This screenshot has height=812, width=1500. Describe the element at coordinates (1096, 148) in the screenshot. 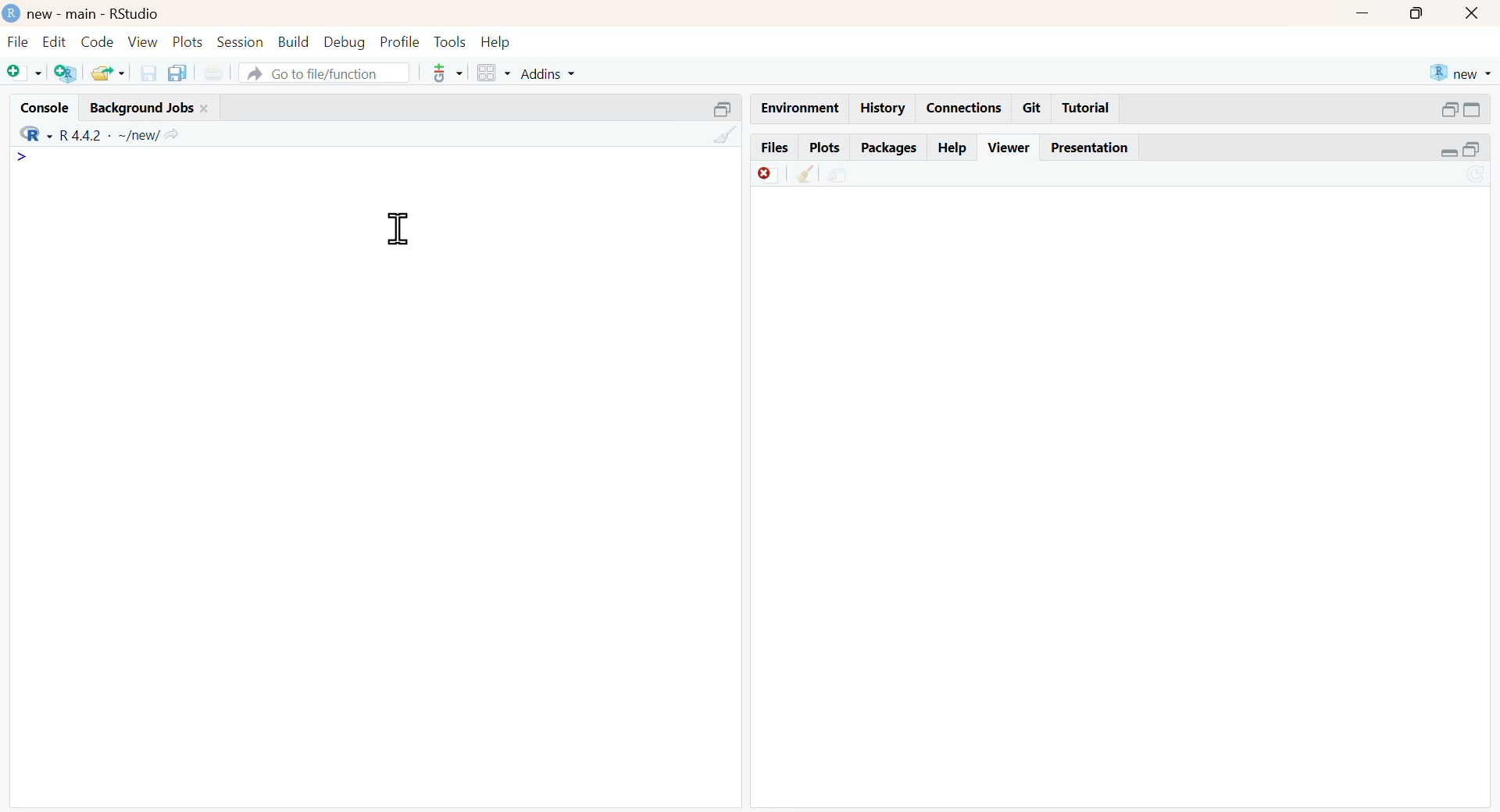

I see `Presentation` at that location.